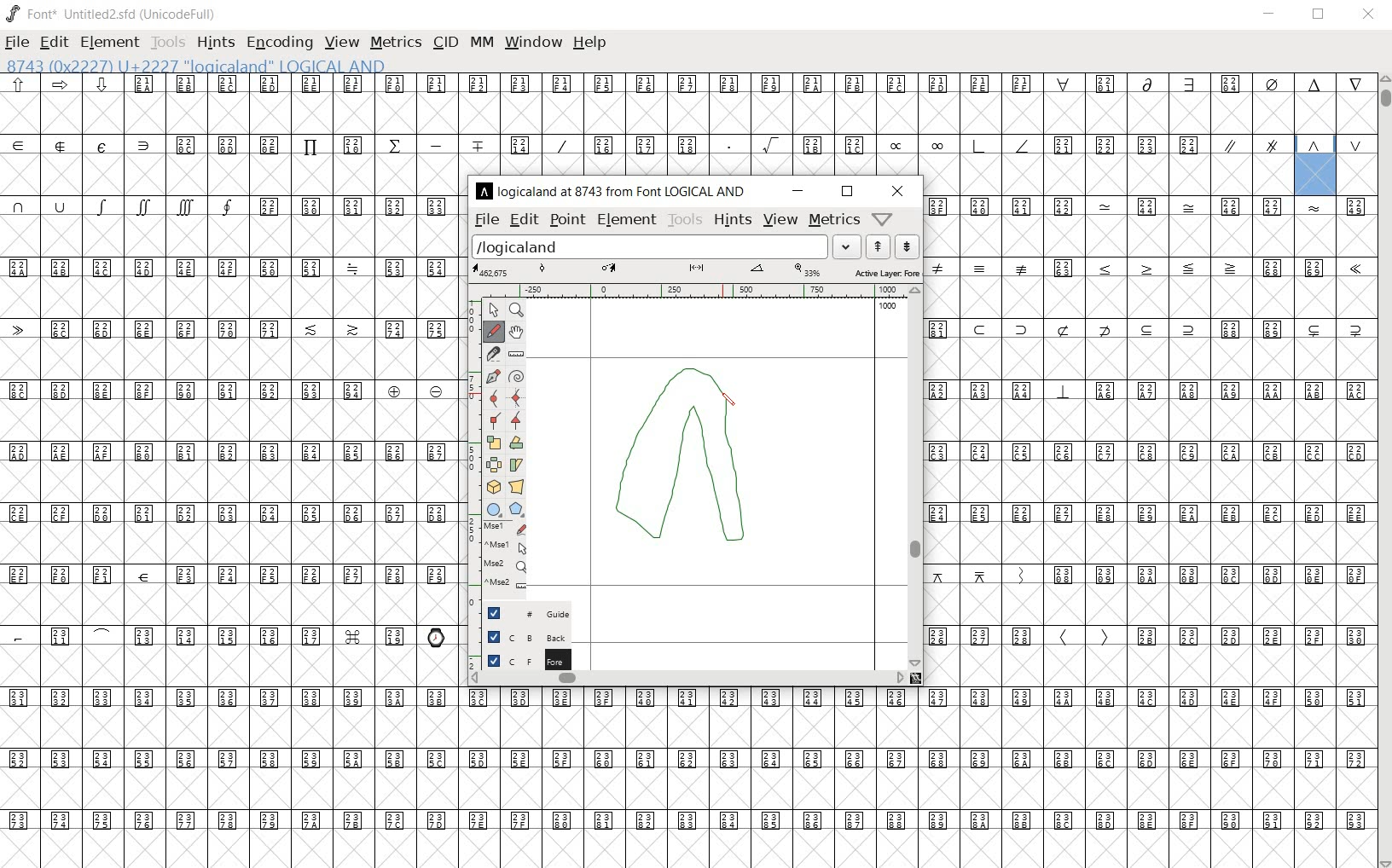 Image resolution: width=1392 pixels, height=868 pixels. I want to click on designing logical And glyph, so click(687, 461).